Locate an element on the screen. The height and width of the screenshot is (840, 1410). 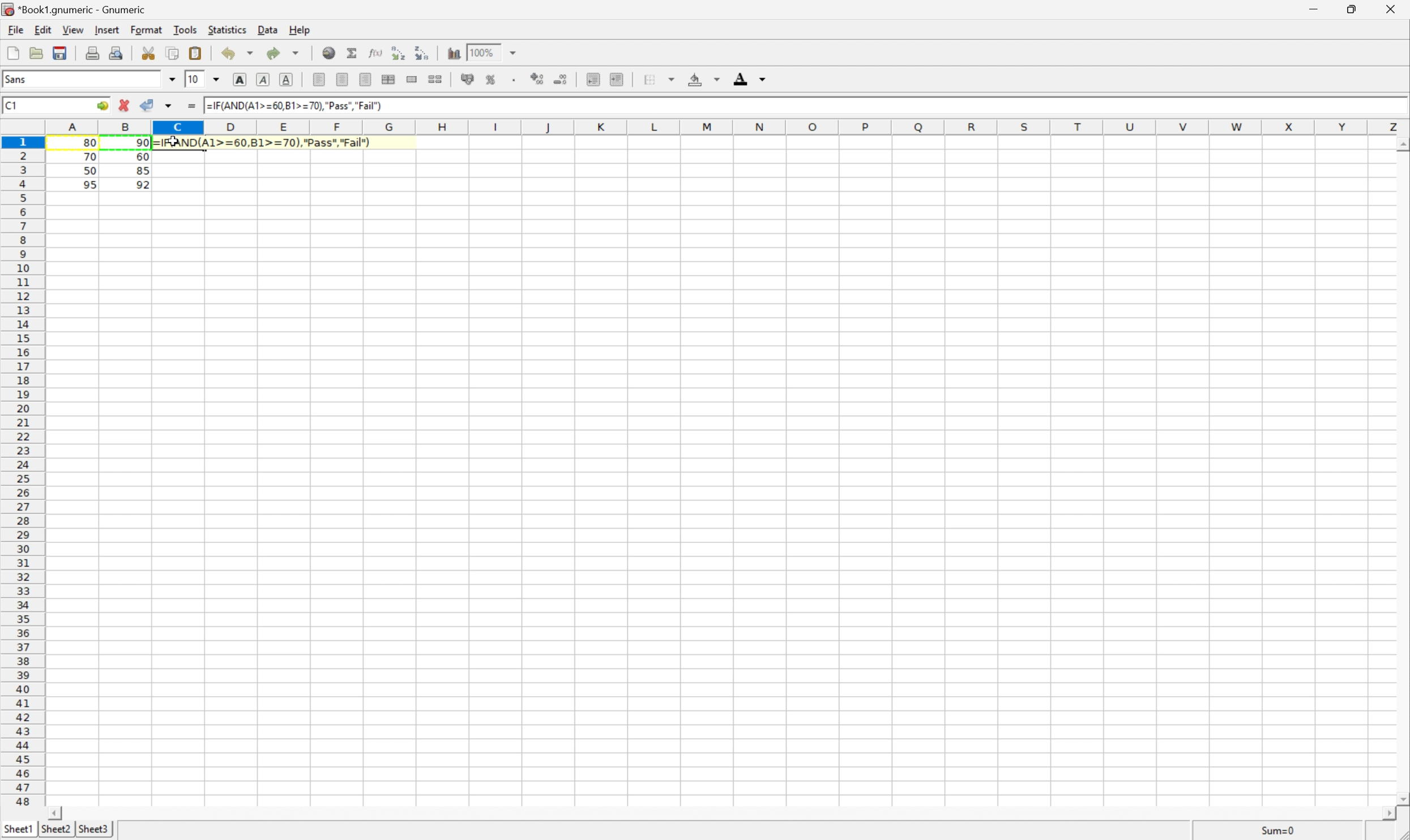
Split merged ranges of cells is located at coordinates (437, 79).